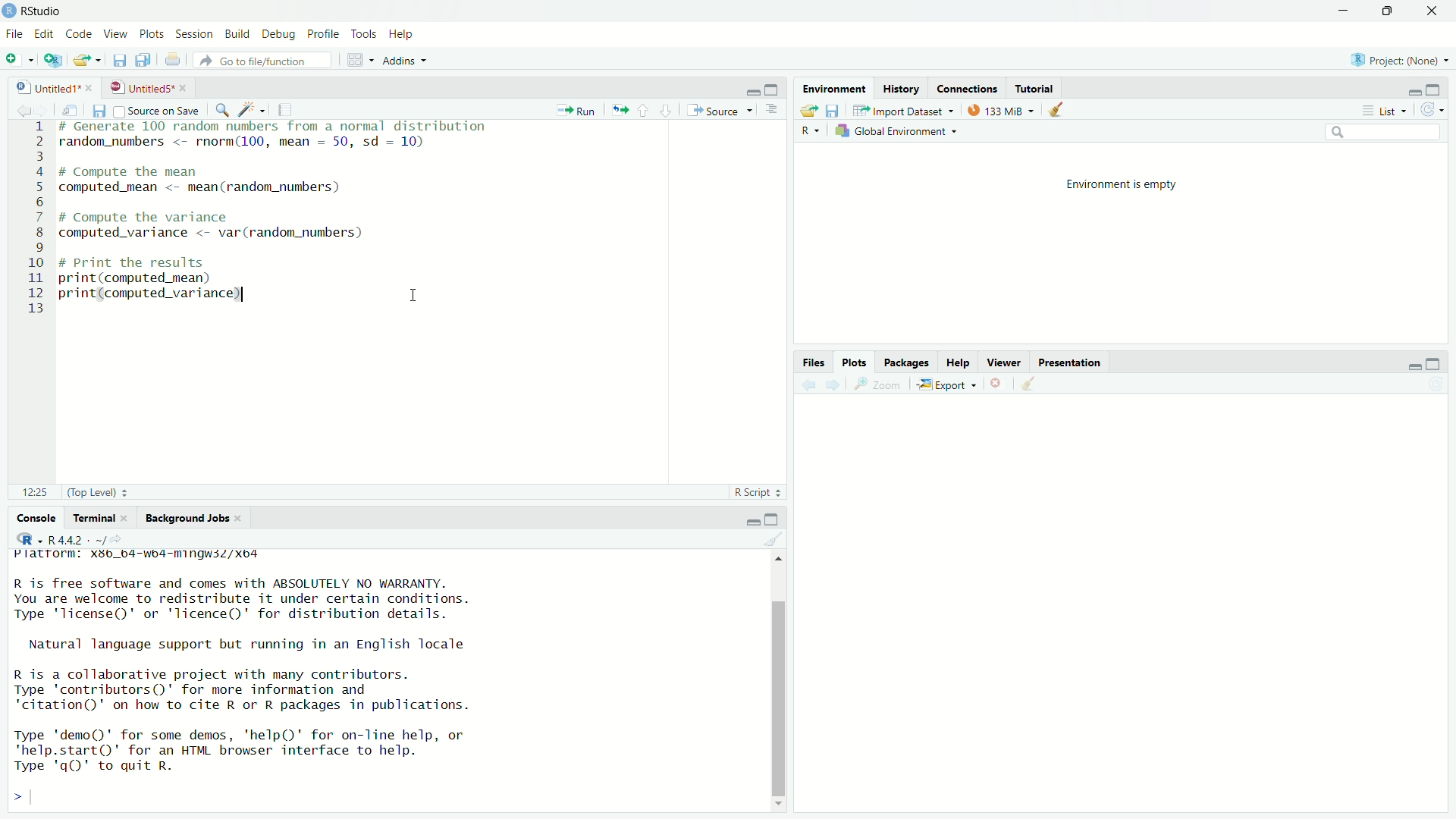 This screenshot has height=819, width=1456. Describe the element at coordinates (359, 60) in the screenshot. I see `workspace panes` at that location.